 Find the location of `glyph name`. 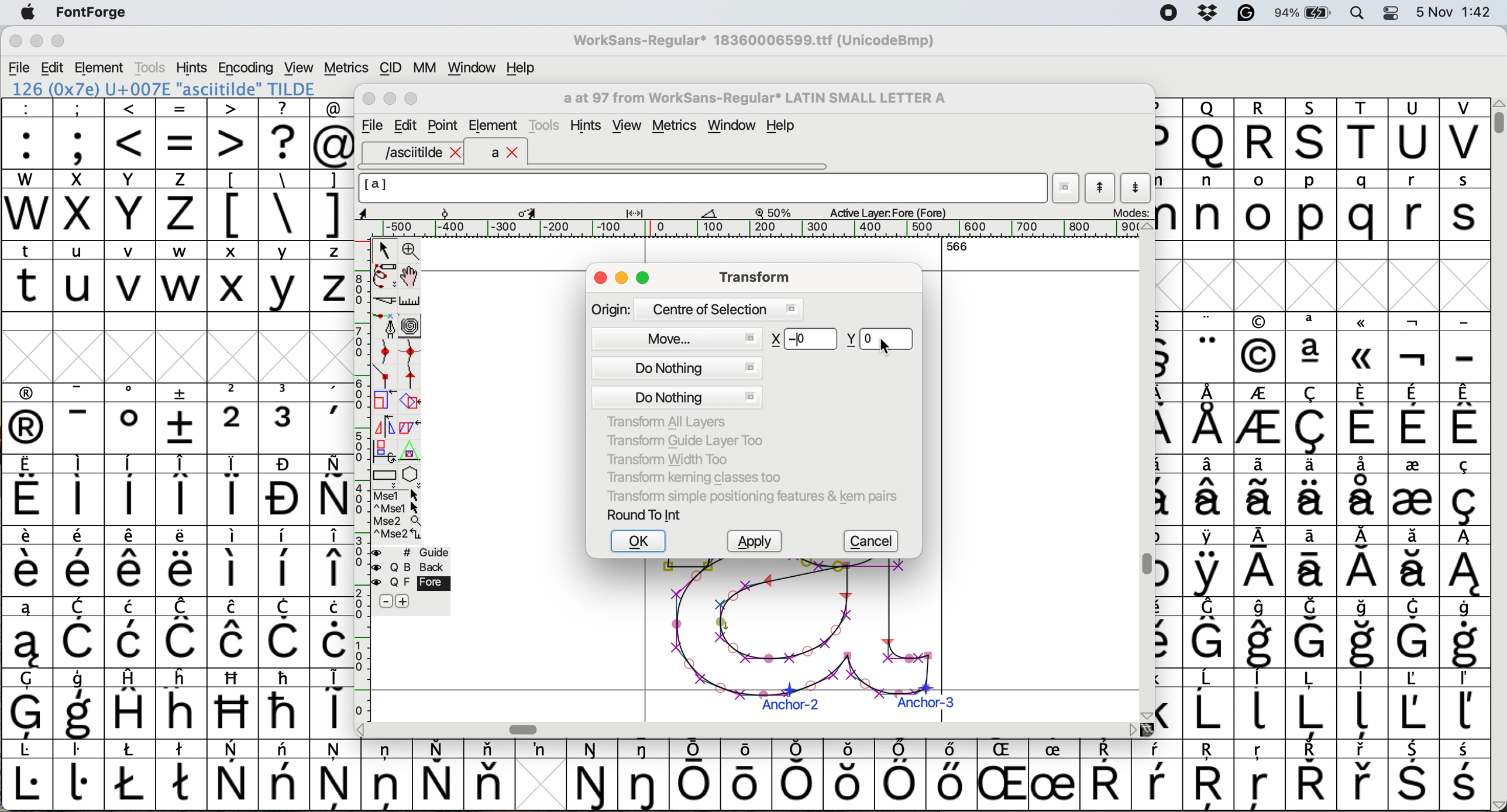

glyph name is located at coordinates (753, 98).